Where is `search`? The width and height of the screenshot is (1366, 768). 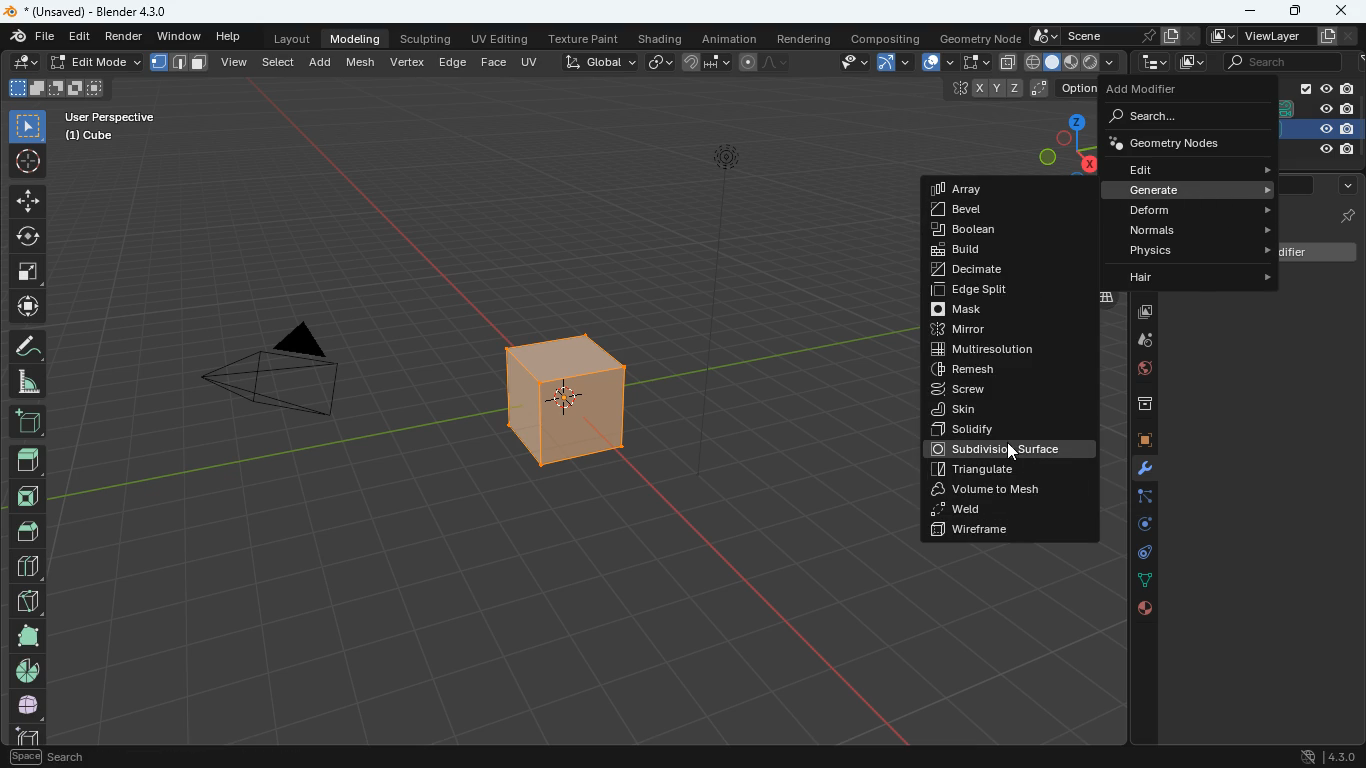 search is located at coordinates (1174, 118).